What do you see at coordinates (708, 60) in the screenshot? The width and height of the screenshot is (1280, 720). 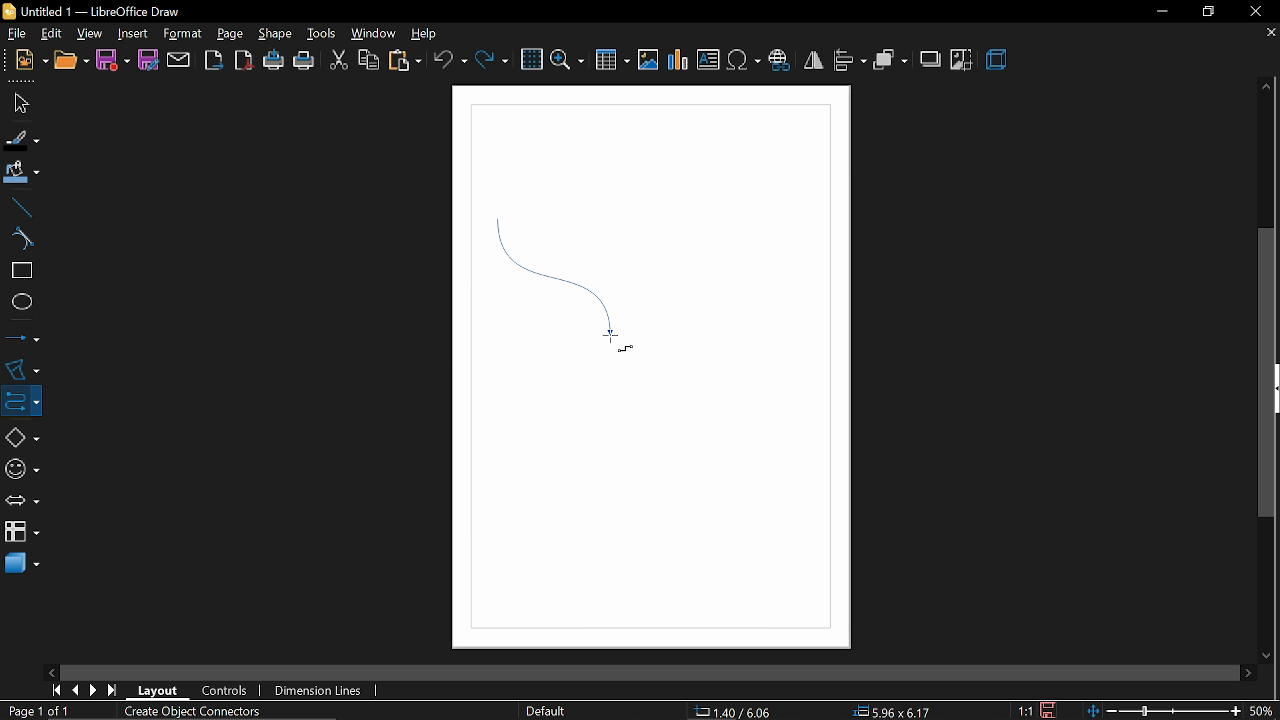 I see `Insert text` at bounding box center [708, 60].